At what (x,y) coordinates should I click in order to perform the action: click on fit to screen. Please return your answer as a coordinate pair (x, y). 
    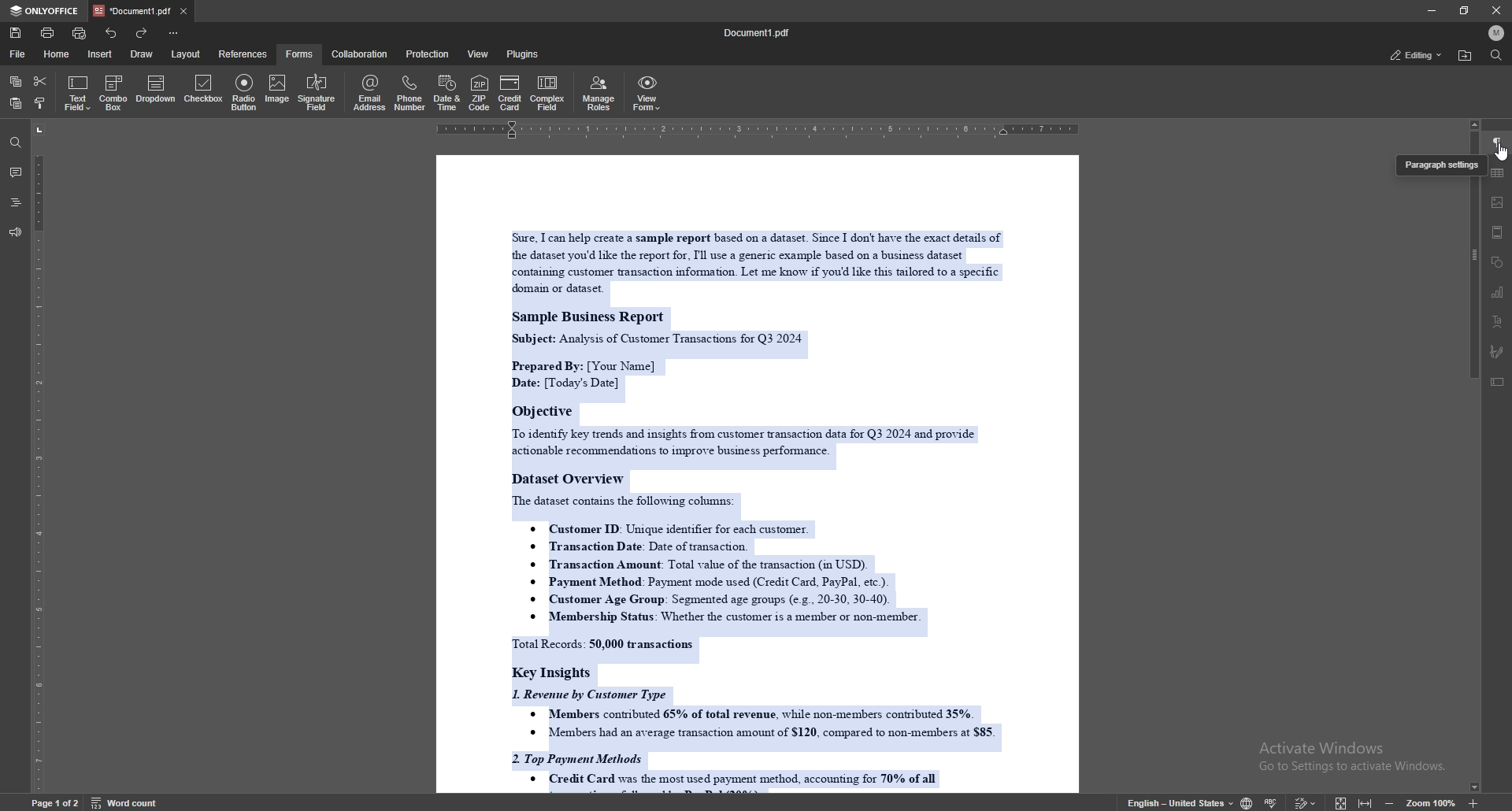
    Looking at the image, I should click on (1341, 802).